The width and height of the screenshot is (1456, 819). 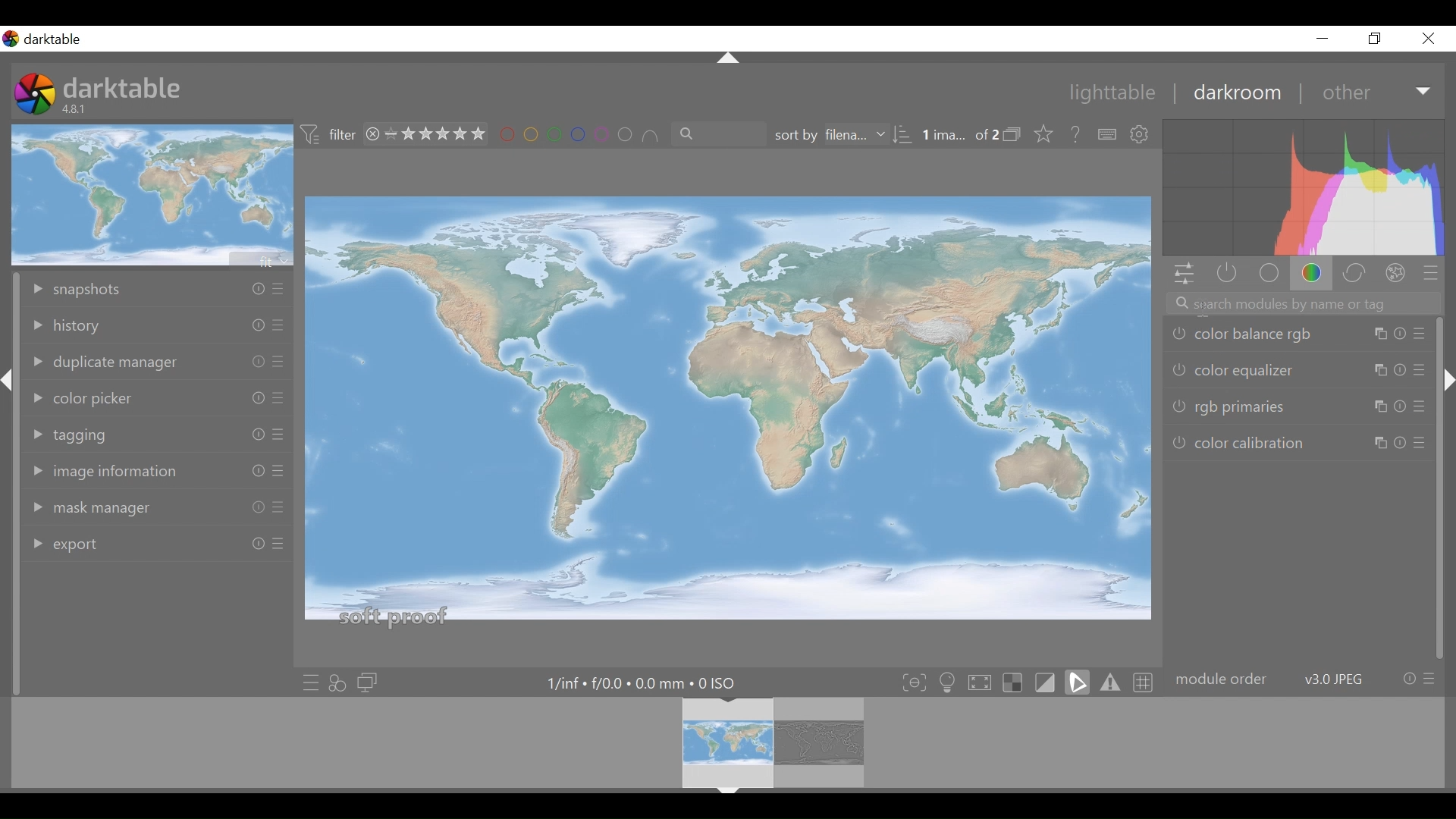 I want to click on rgb pirimaries, so click(x=1298, y=405).